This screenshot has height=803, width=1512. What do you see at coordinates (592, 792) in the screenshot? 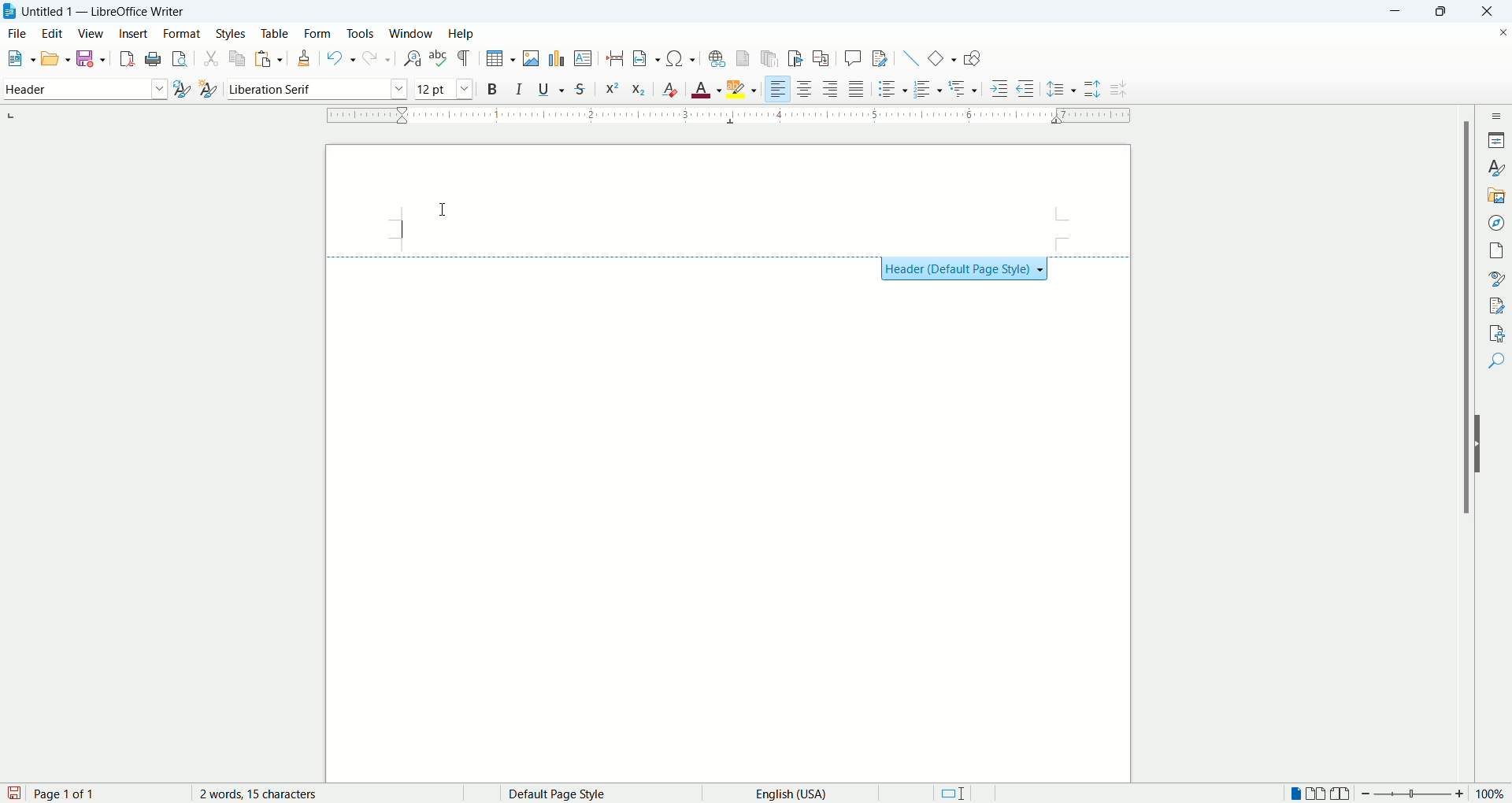
I see `page style` at bounding box center [592, 792].